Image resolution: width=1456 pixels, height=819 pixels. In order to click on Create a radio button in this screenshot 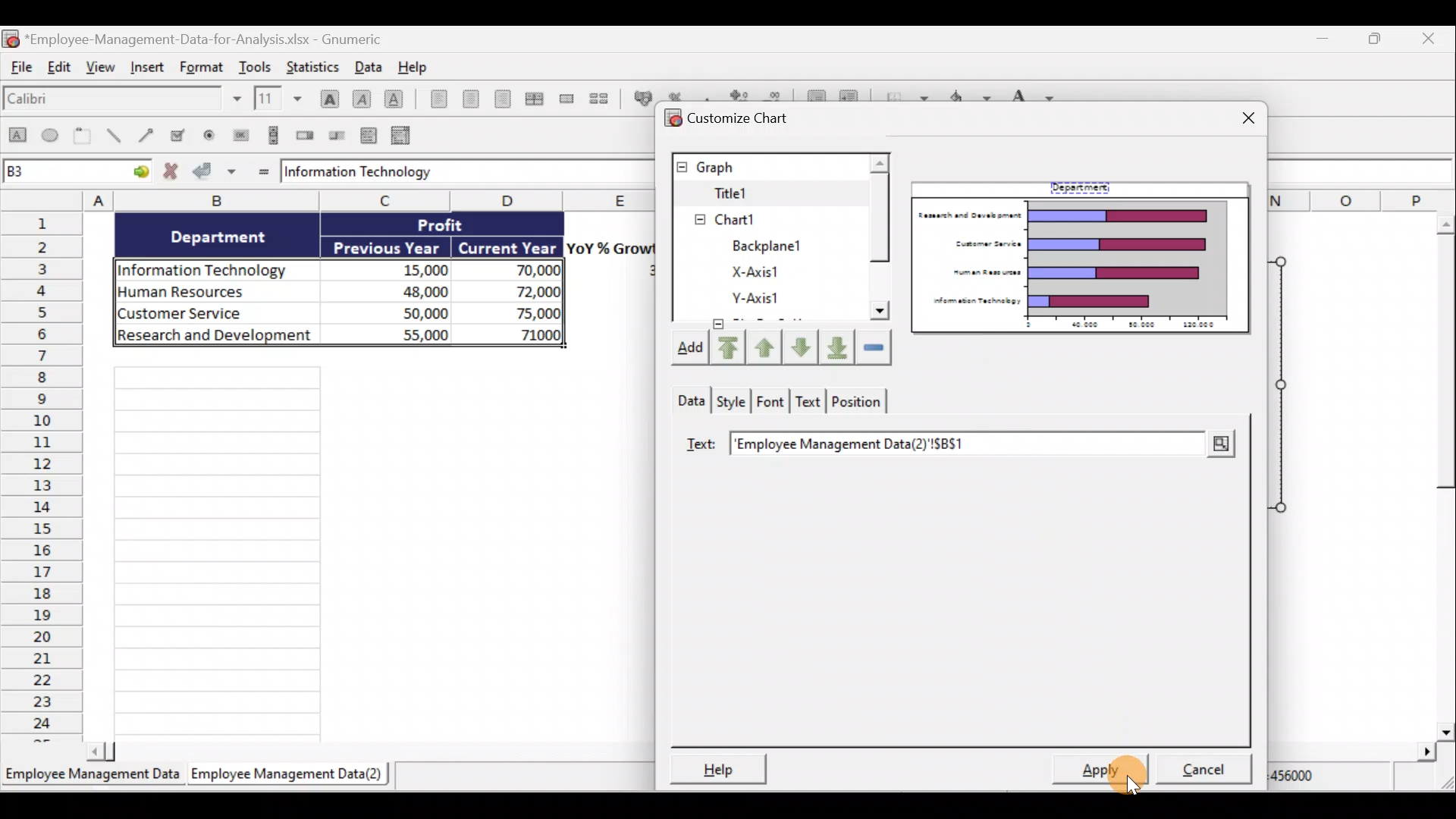, I will do `click(209, 136)`.